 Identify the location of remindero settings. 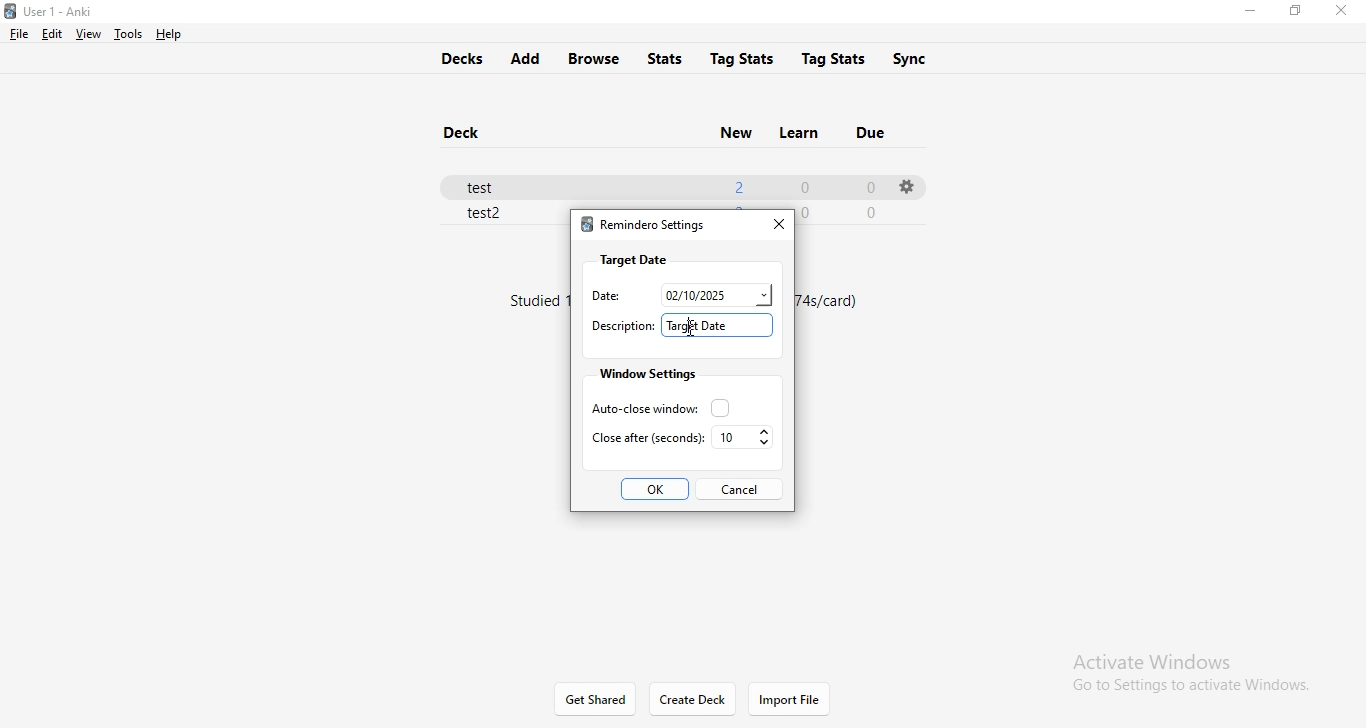
(642, 227).